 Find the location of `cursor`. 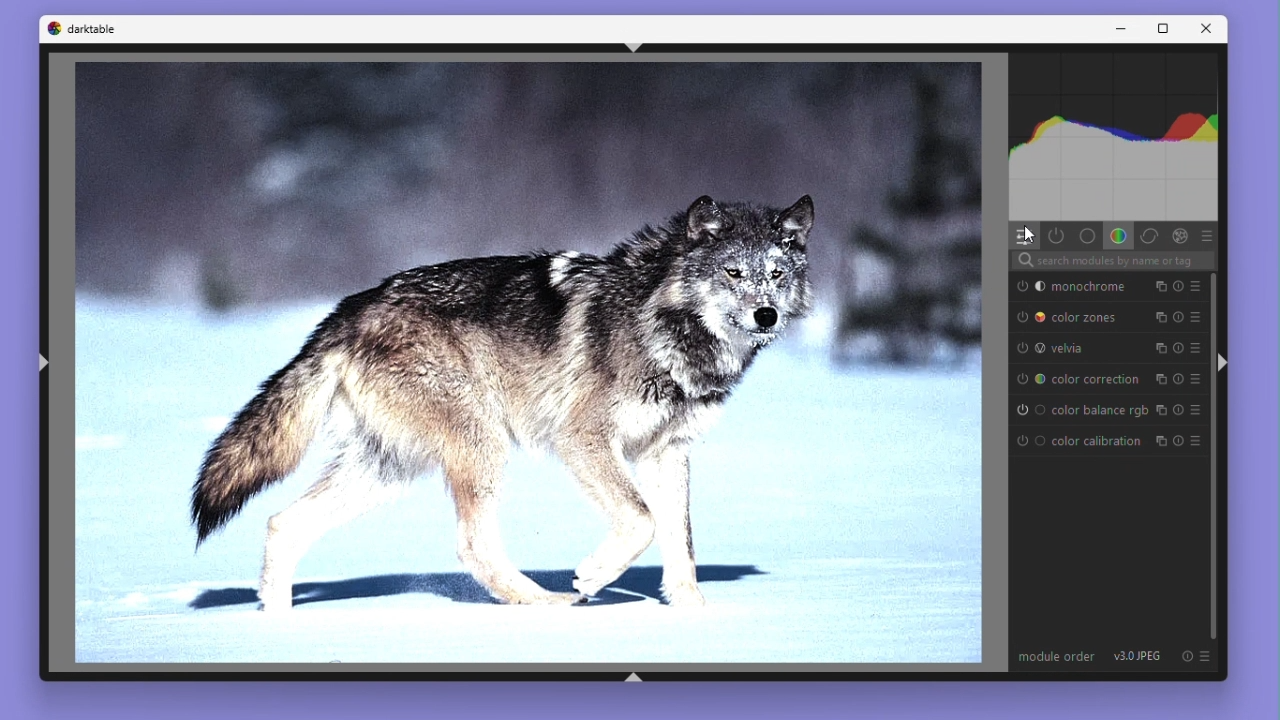

cursor is located at coordinates (1034, 239).